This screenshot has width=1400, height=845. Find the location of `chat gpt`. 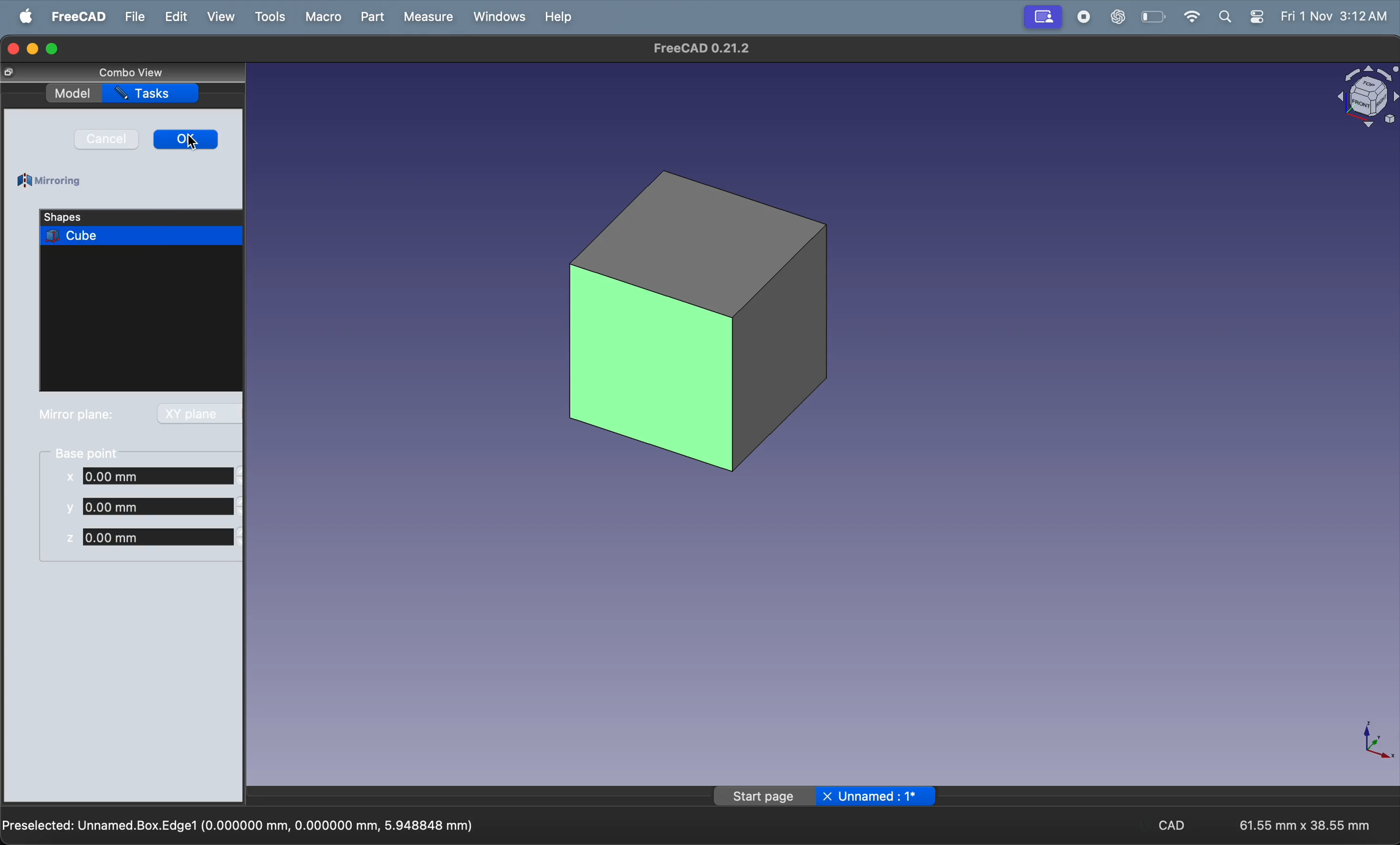

chat gpt is located at coordinates (1121, 16).